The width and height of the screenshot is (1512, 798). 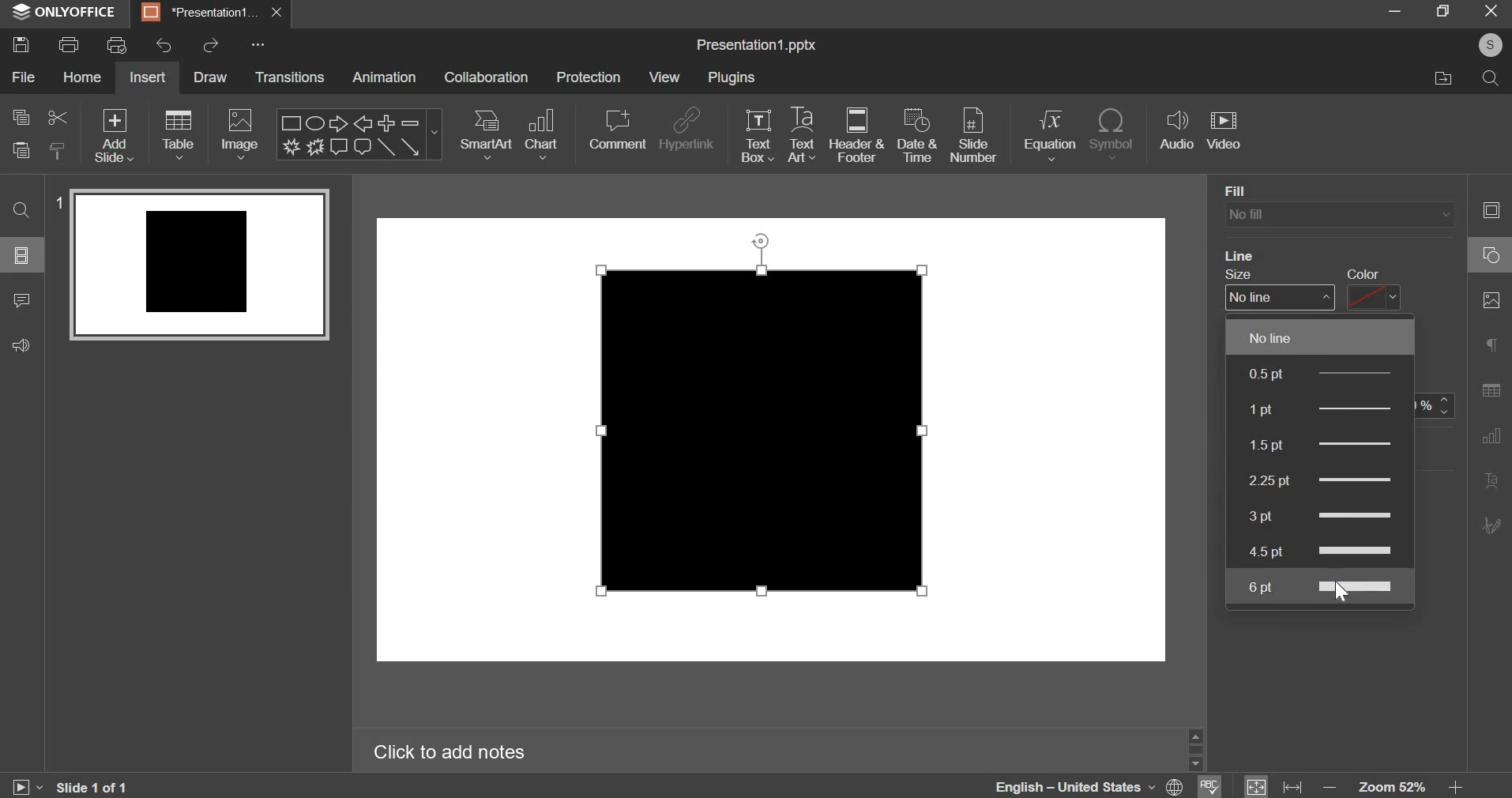 What do you see at coordinates (1341, 597) in the screenshot?
I see `Cursor` at bounding box center [1341, 597].